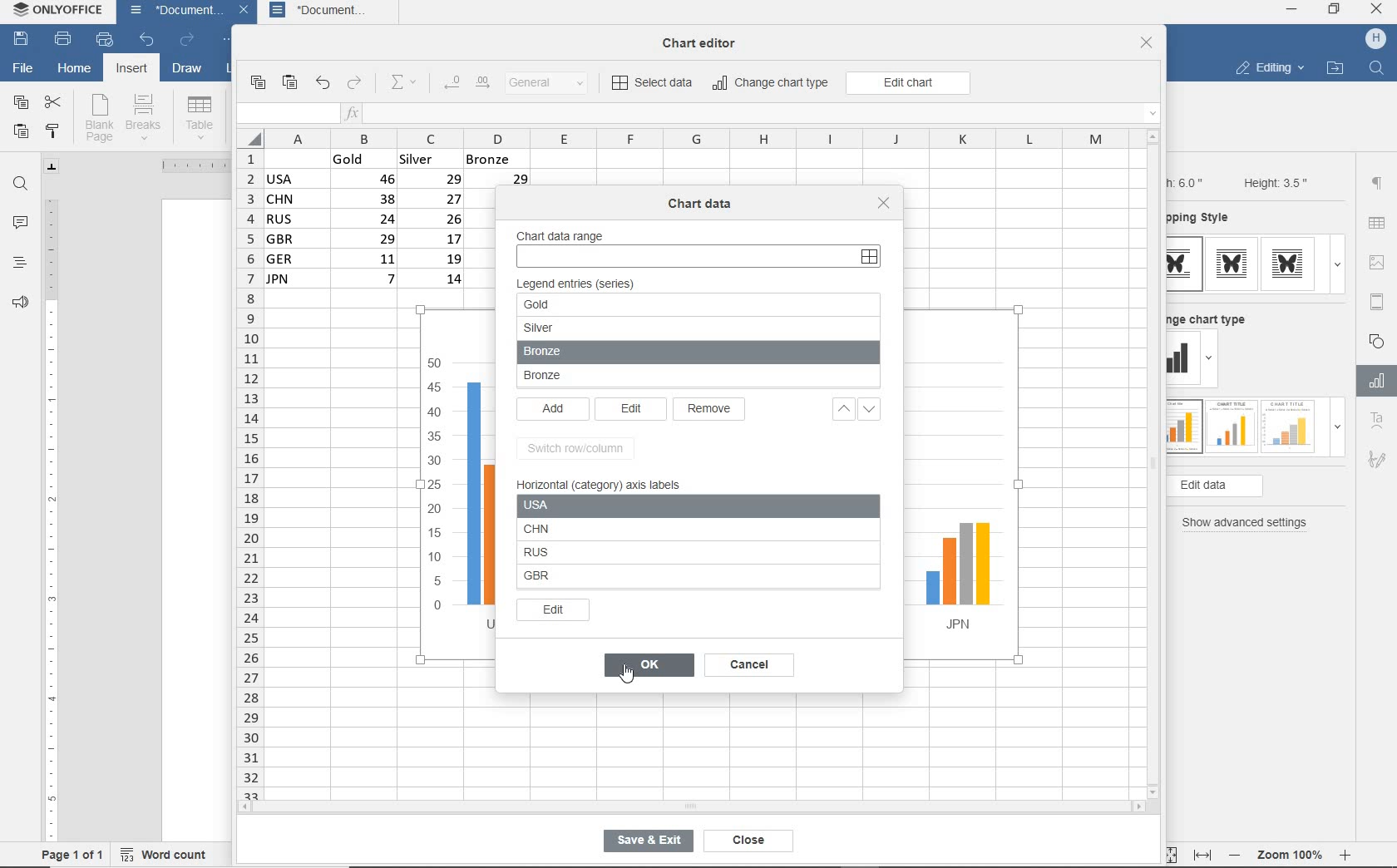 This screenshot has width=1397, height=868. Describe the element at coordinates (945, 579) in the screenshot. I see `JPN` at that location.